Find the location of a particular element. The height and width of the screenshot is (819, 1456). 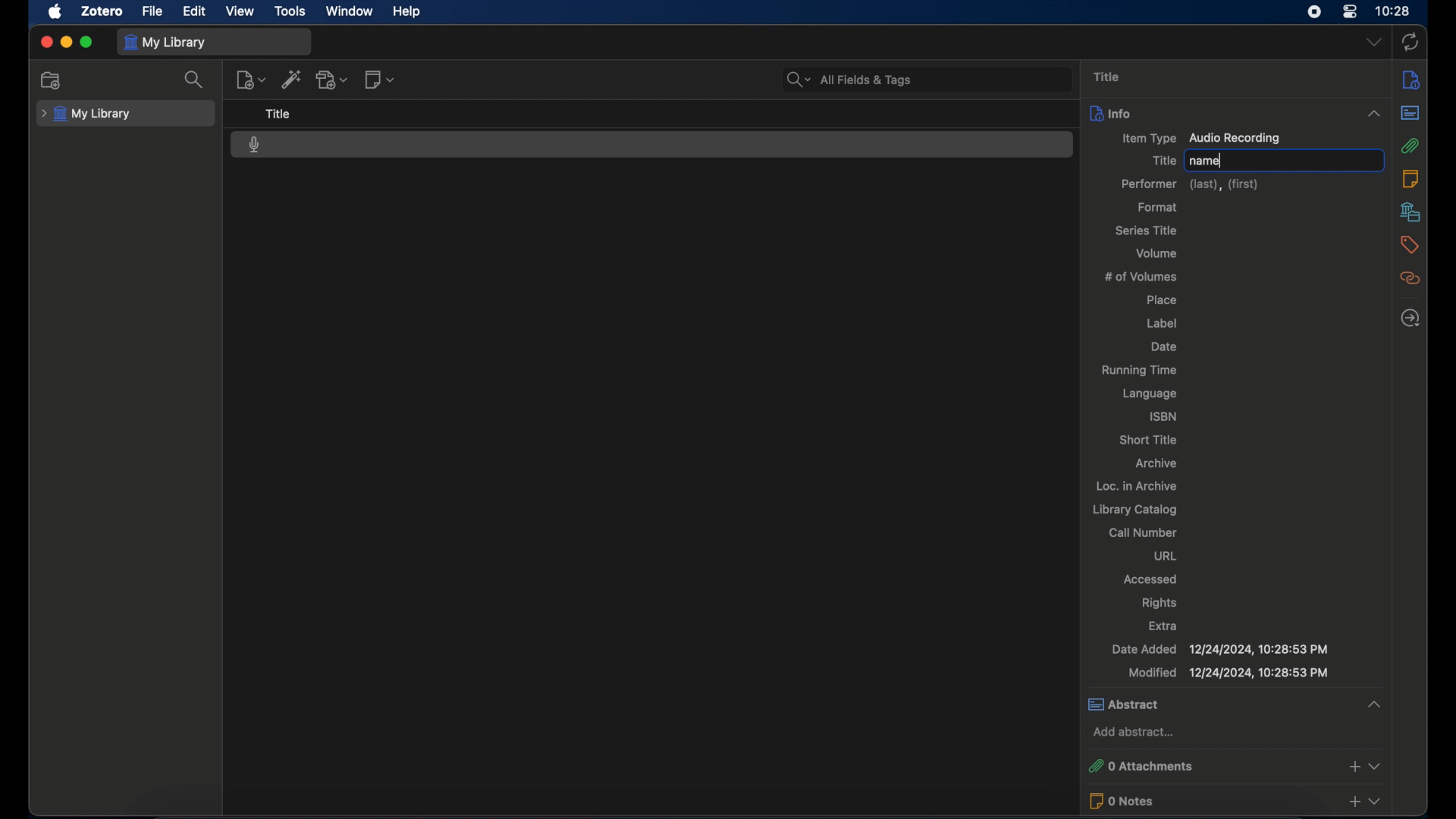

my library is located at coordinates (86, 115).